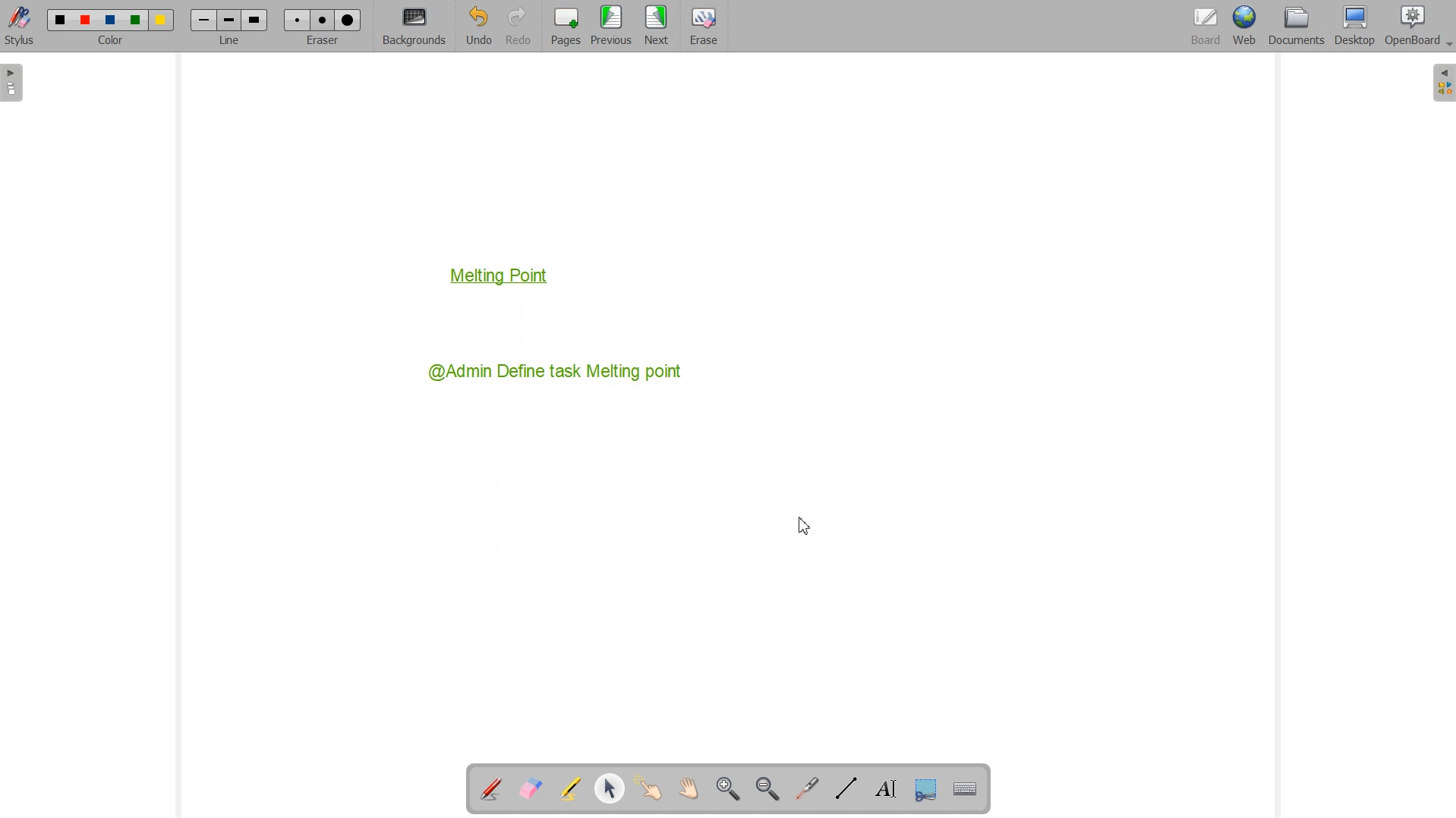 This screenshot has height=818, width=1456. Describe the element at coordinates (14, 83) in the screenshot. I see `Sidebar` at that location.